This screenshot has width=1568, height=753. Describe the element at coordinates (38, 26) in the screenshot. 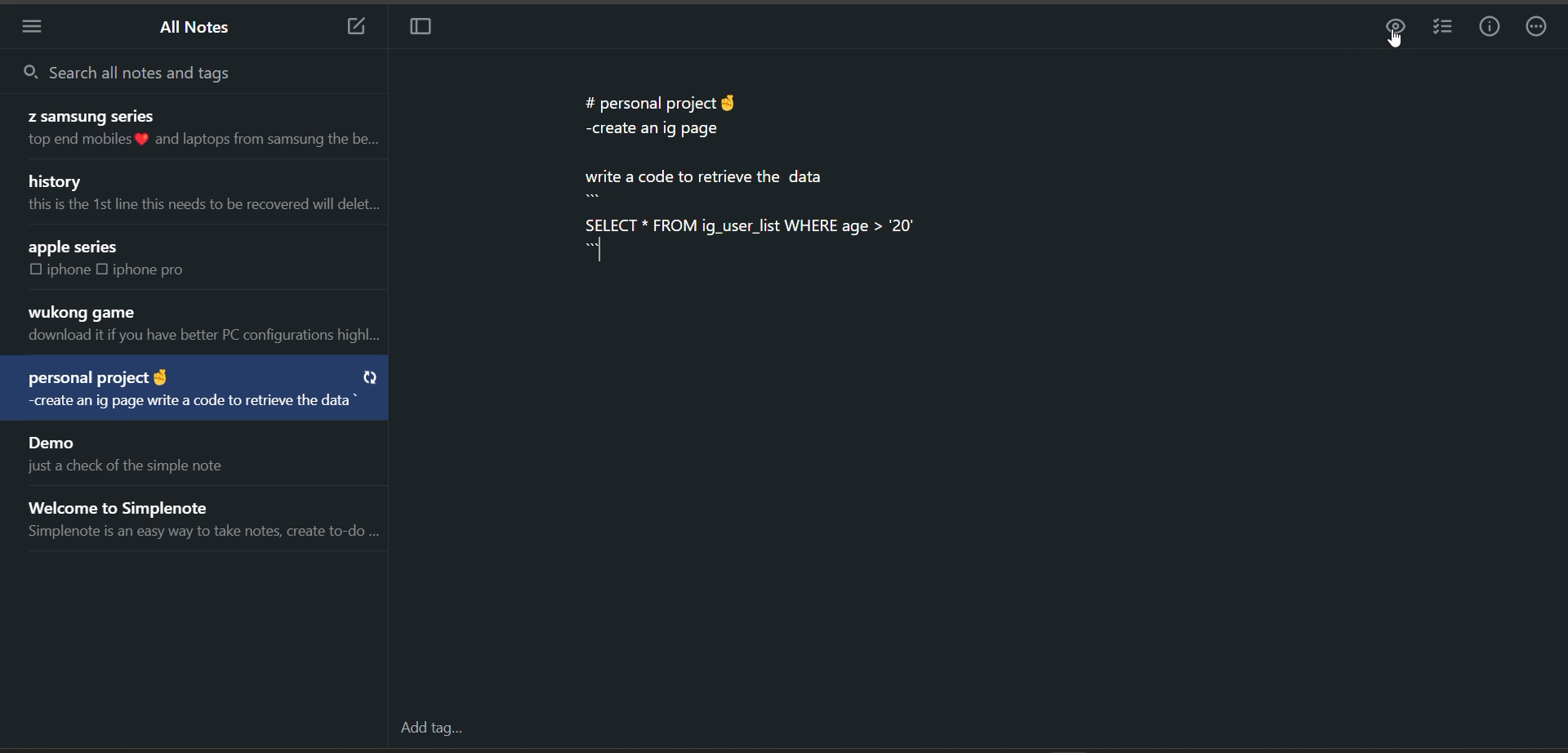

I see `menu` at that location.